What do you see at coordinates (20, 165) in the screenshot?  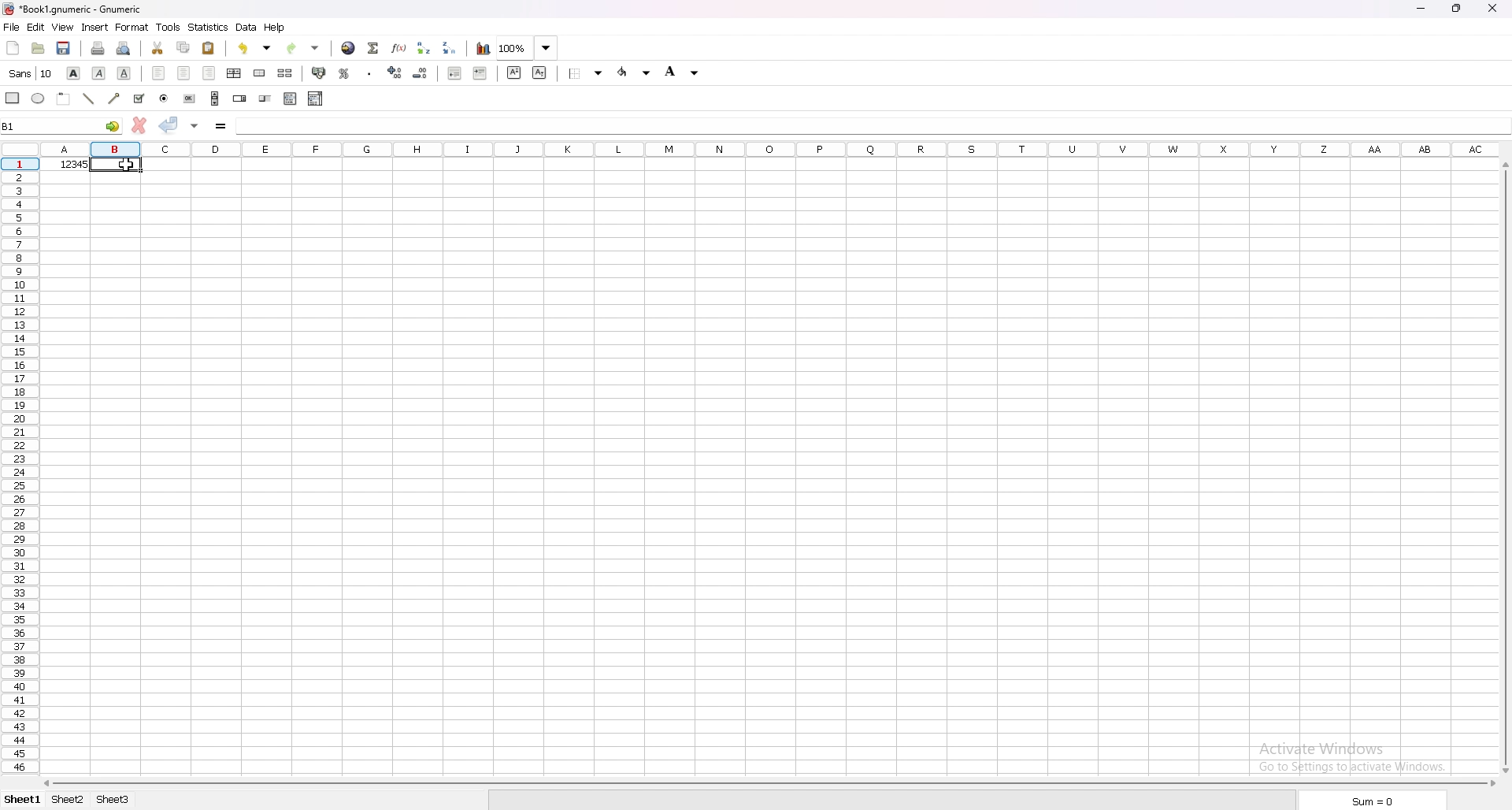 I see `selected cell row` at bounding box center [20, 165].